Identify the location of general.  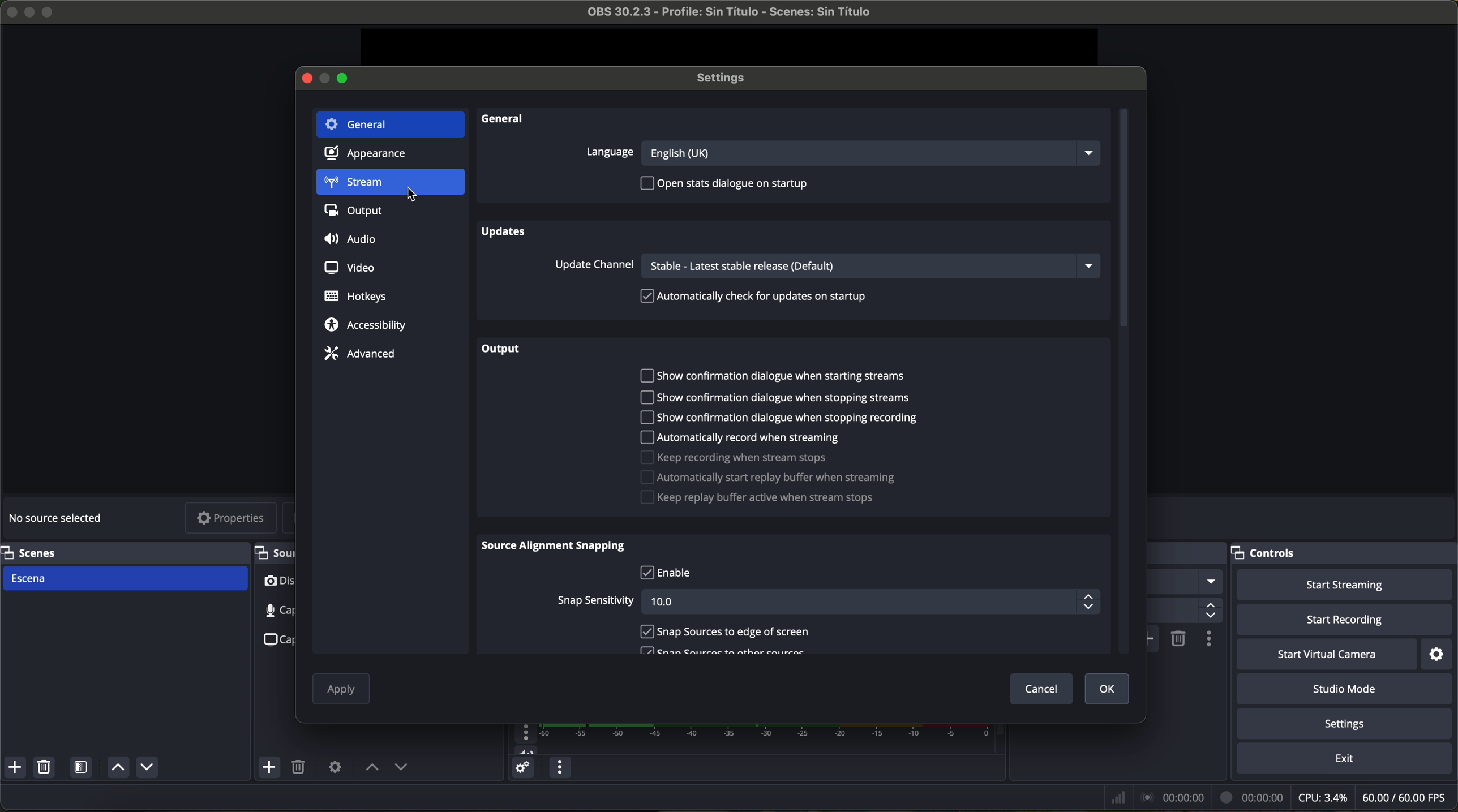
(390, 123).